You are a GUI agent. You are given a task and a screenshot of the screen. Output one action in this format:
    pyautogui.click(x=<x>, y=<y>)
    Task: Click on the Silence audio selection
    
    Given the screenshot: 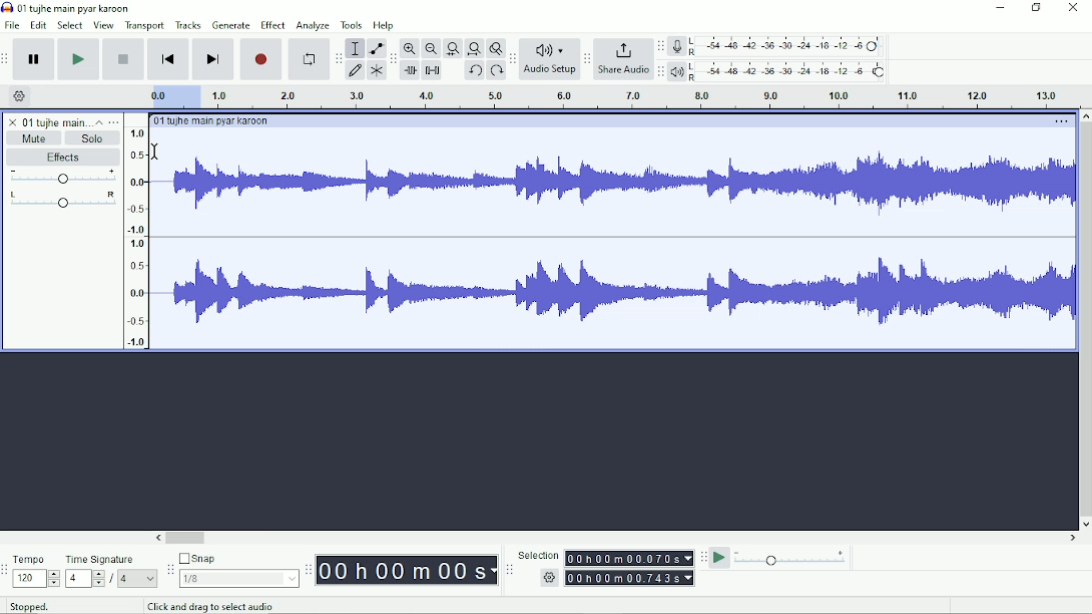 What is the action you would take?
    pyautogui.click(x=432, y=70)
    